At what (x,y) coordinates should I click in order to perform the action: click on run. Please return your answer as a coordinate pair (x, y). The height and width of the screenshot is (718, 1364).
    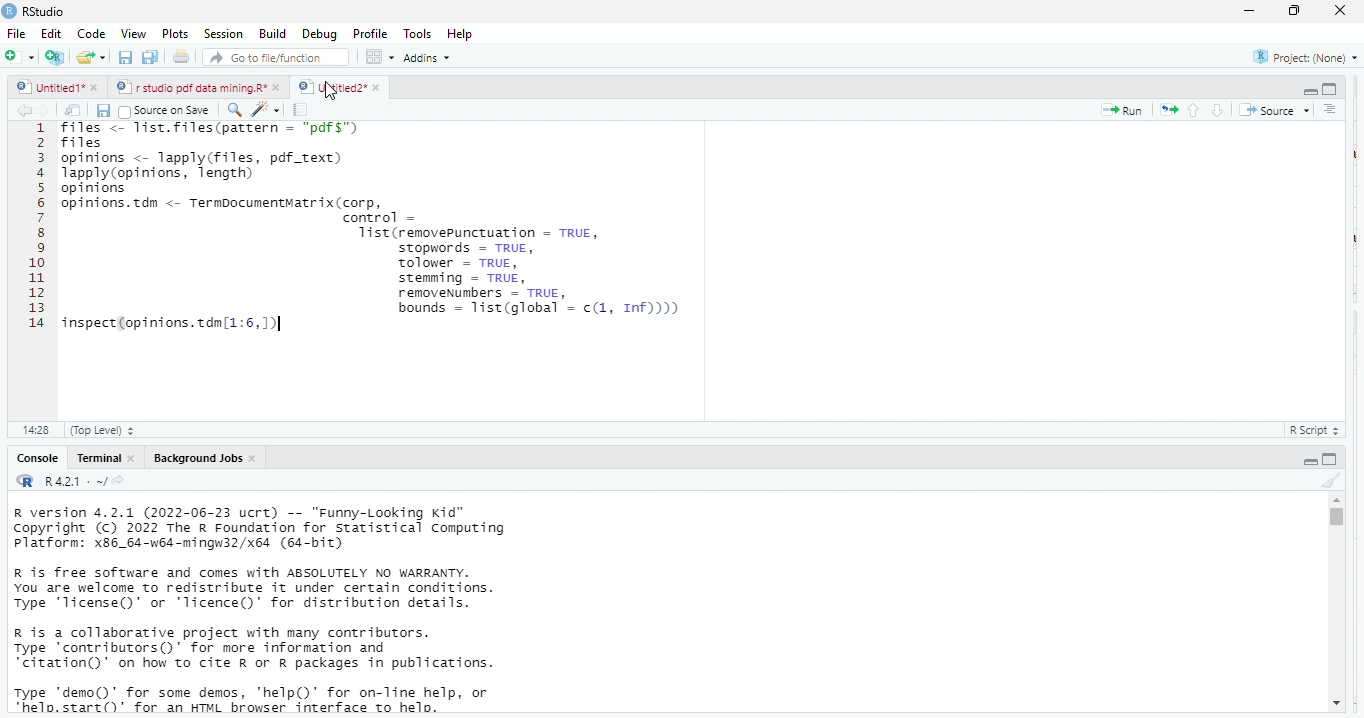
    Looking at the image, I should click on (1122, 110).